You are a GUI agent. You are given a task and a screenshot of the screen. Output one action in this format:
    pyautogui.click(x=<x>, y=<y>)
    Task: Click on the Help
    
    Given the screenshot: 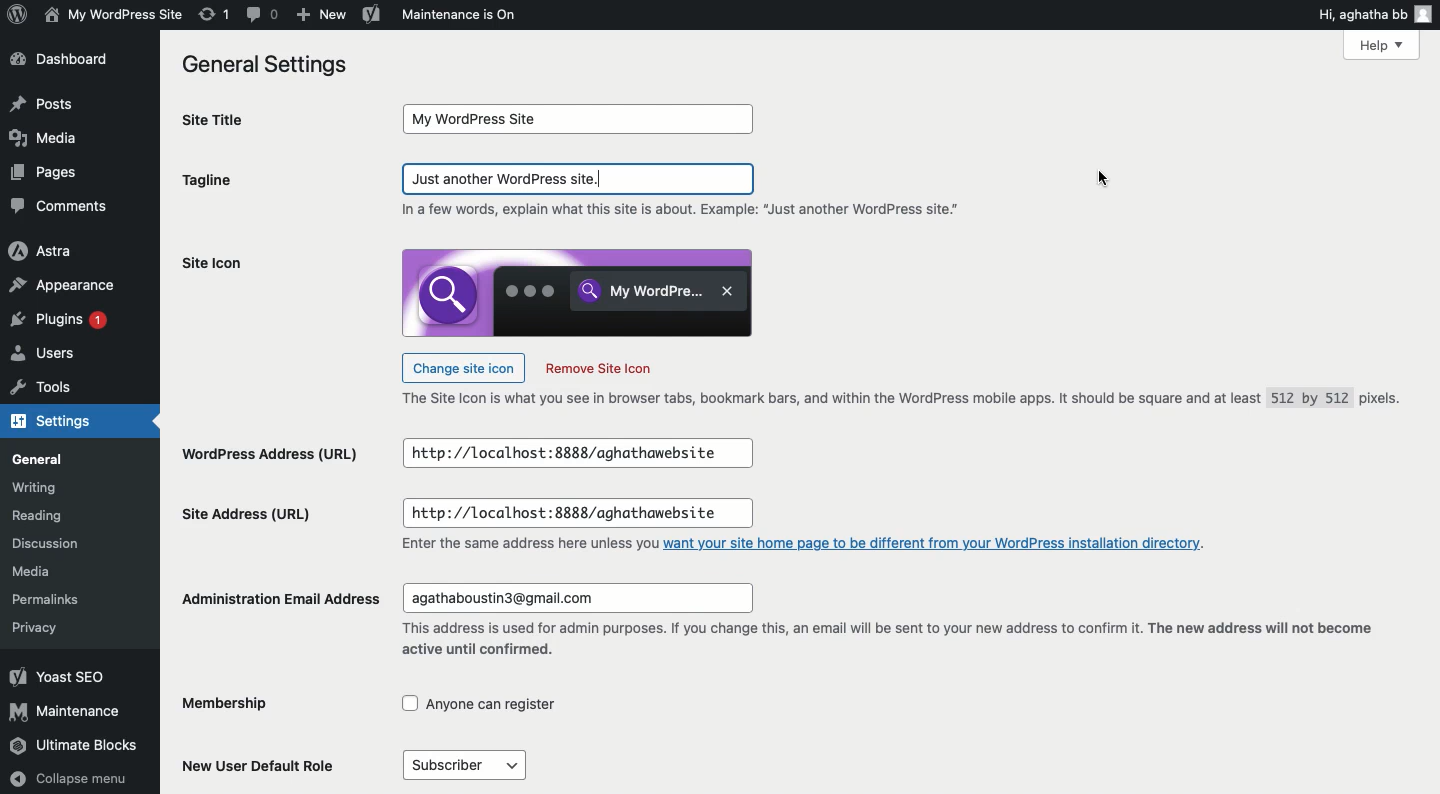 What is the action you would take?
    pyautogui.click(x=1381, y=44)
    